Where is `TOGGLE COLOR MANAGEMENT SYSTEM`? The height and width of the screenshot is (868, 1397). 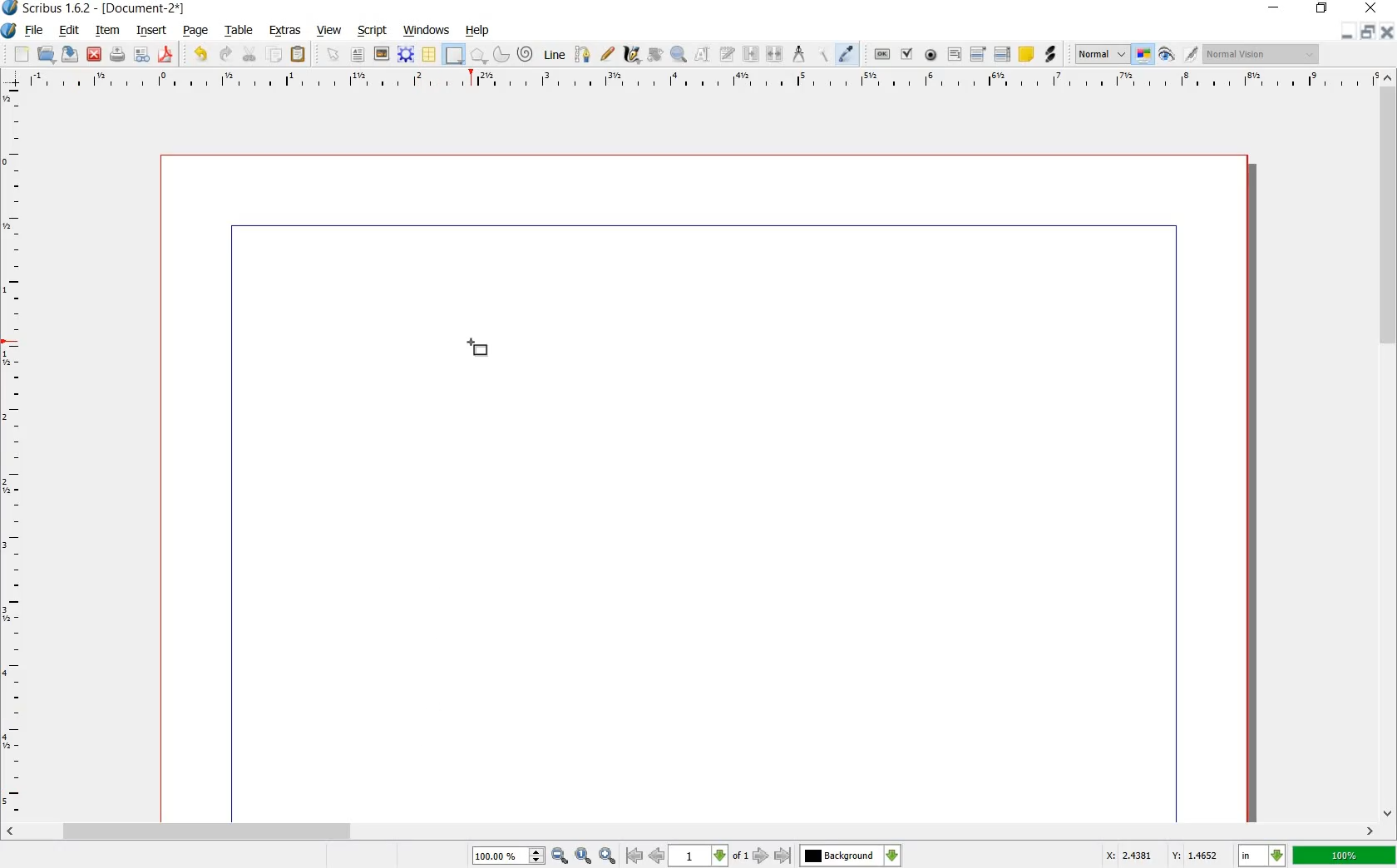 TOGGLE COLOR MANAGEMENT SYSTEM is located at coordinates (1145, 56).